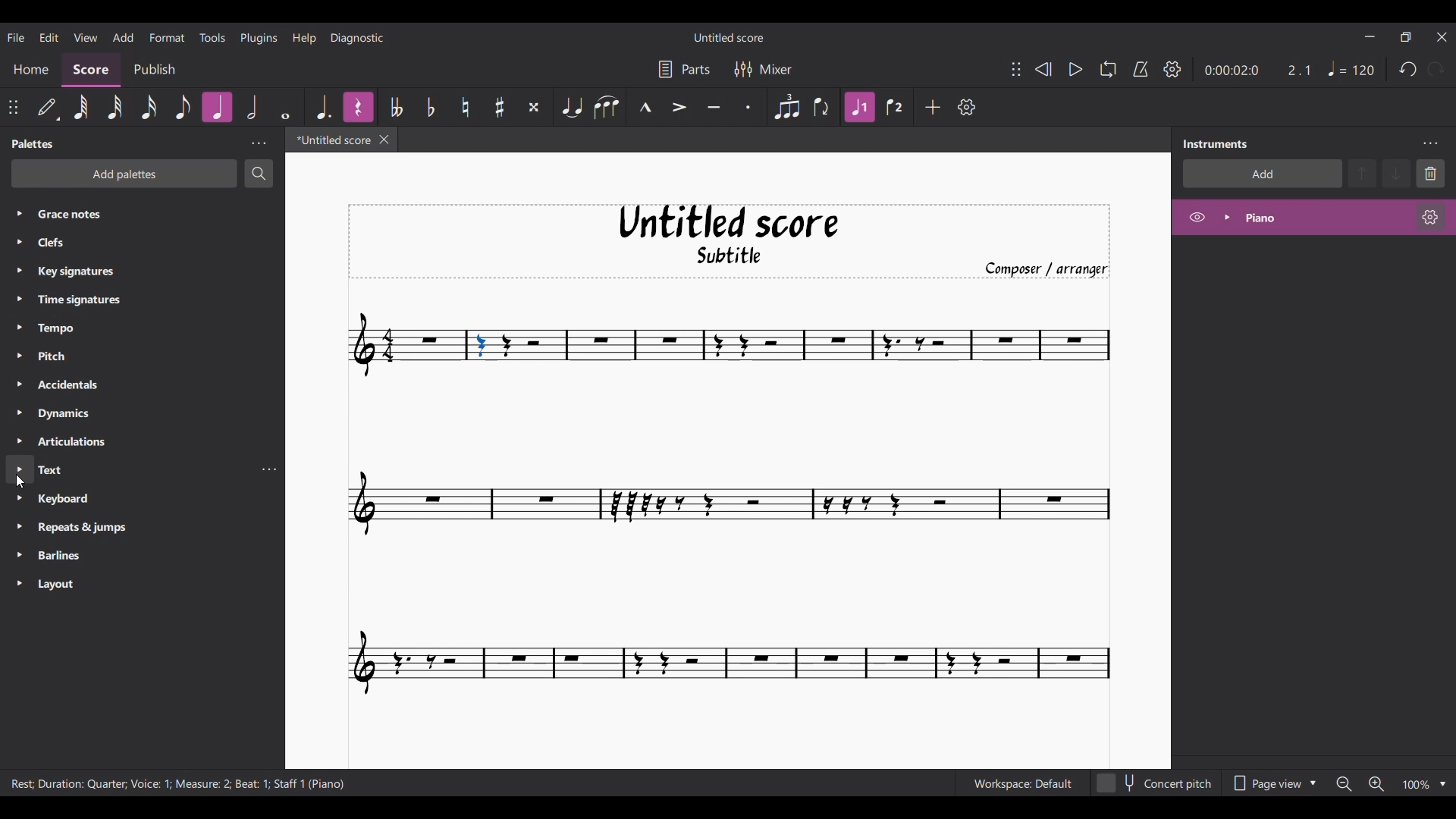 This screenshot has height=819, width=1456. Describe the element at coordinates (31, 69) in the screenshot. I see `Home section` at that location.